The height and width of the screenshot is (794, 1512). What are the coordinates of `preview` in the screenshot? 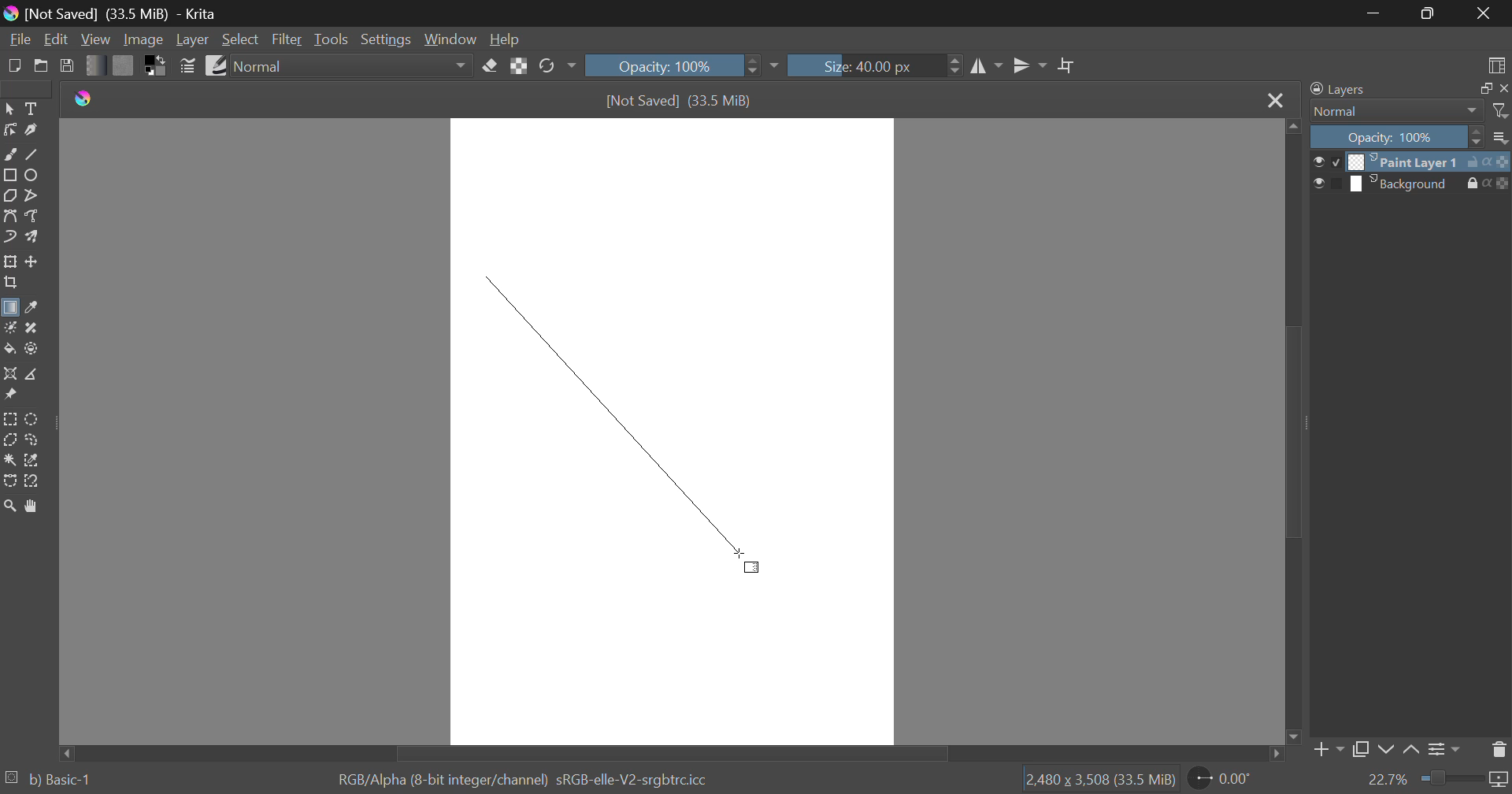 It's located at (1323, 182).